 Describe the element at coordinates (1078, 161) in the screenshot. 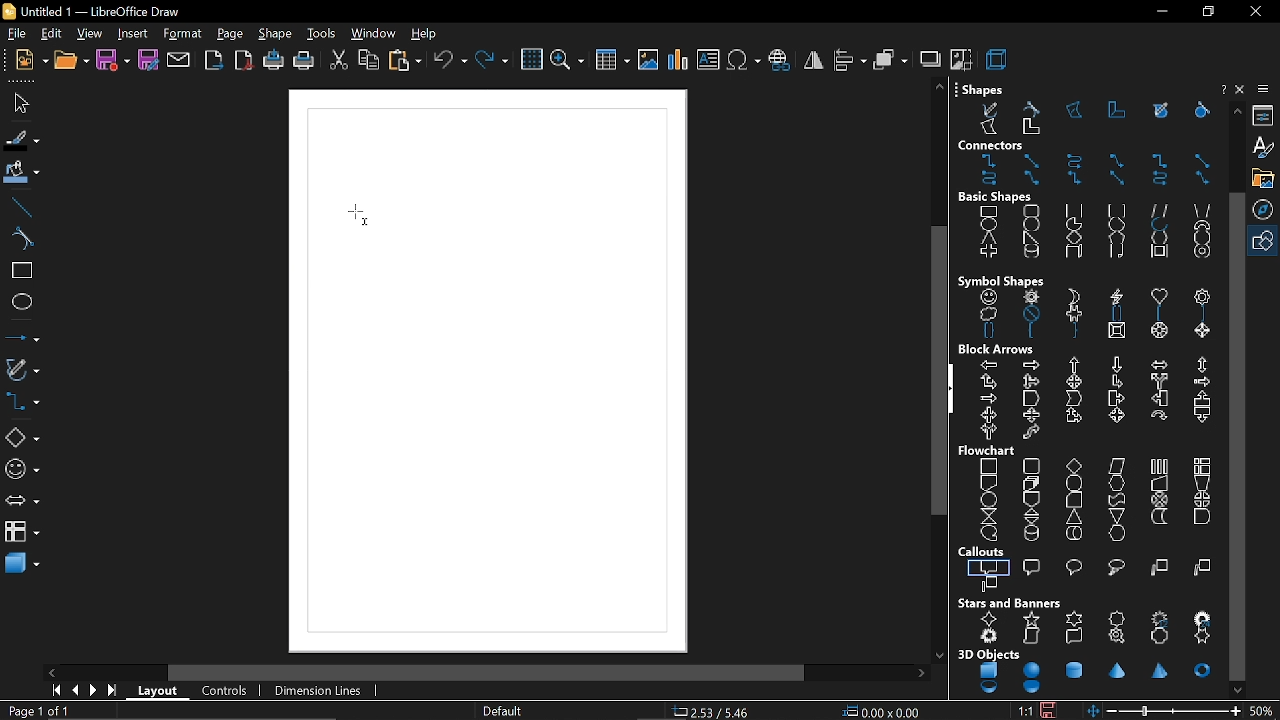

I see `curved connector ends with arrow` at that location.